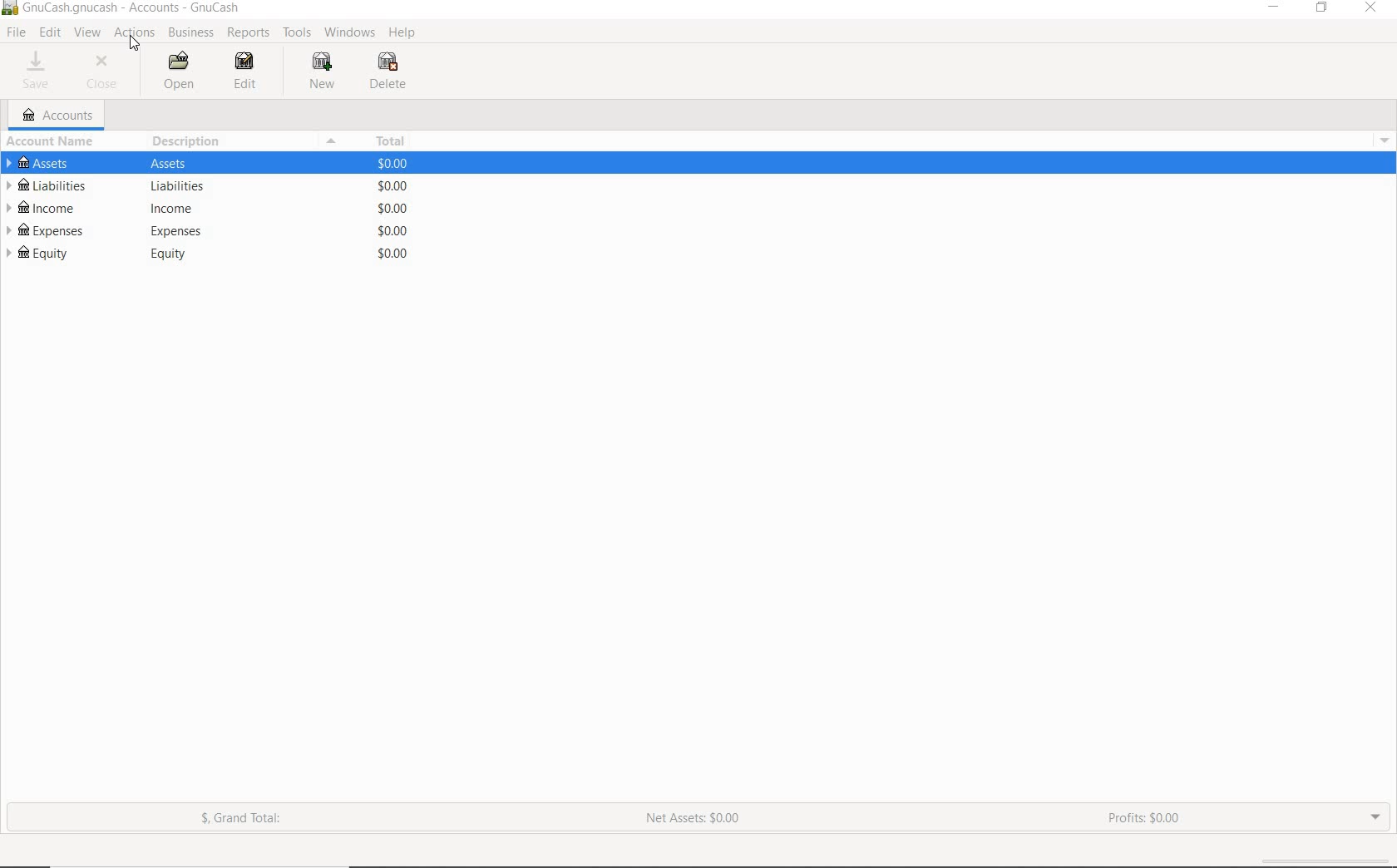  I want to click on GRAND TOTAL, so click(242, 818).